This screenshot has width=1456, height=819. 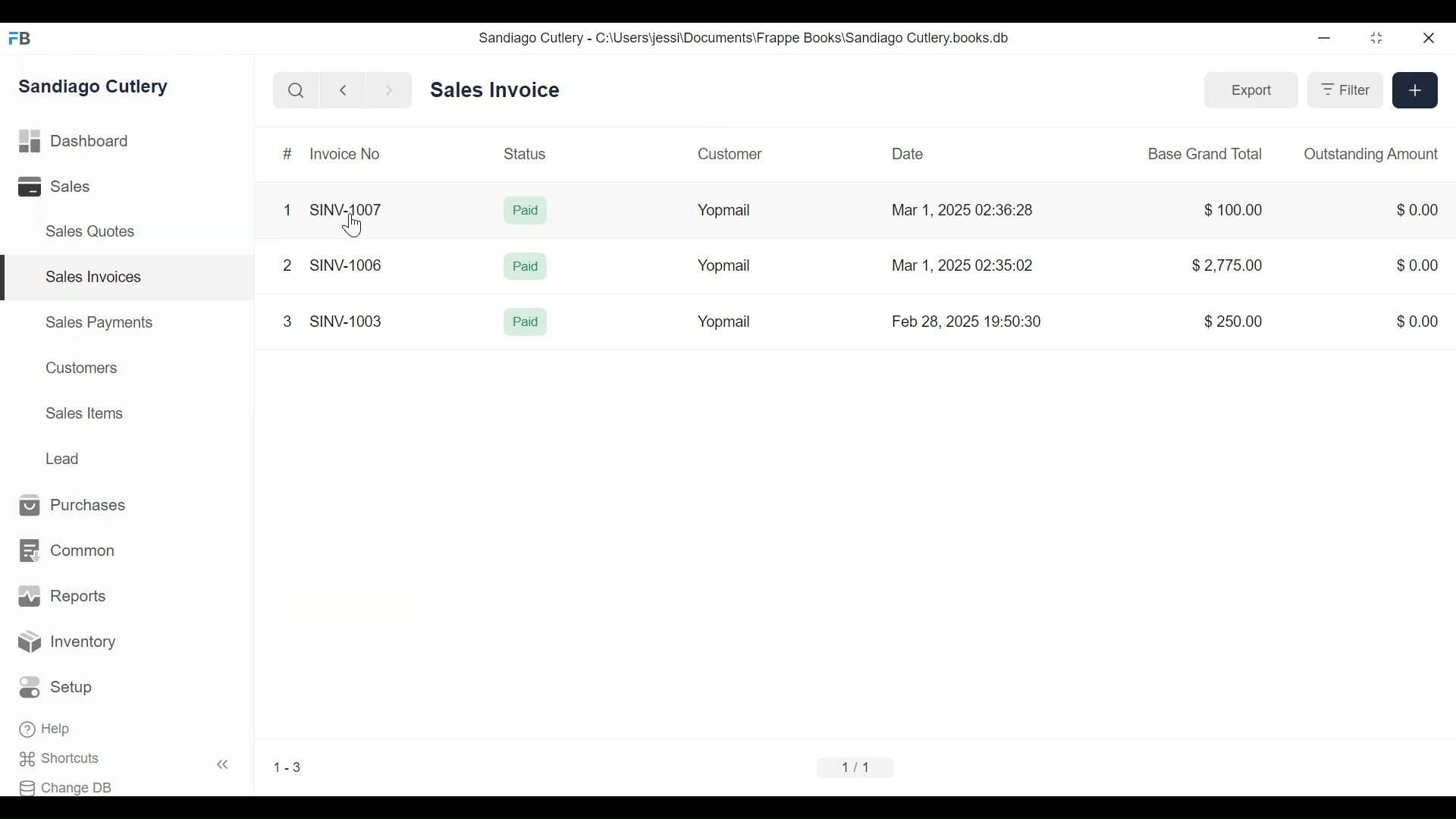 What do you see at coordinates (731, 152) in the screenshot?
I see `Customer` at bounding box center [731, 152].